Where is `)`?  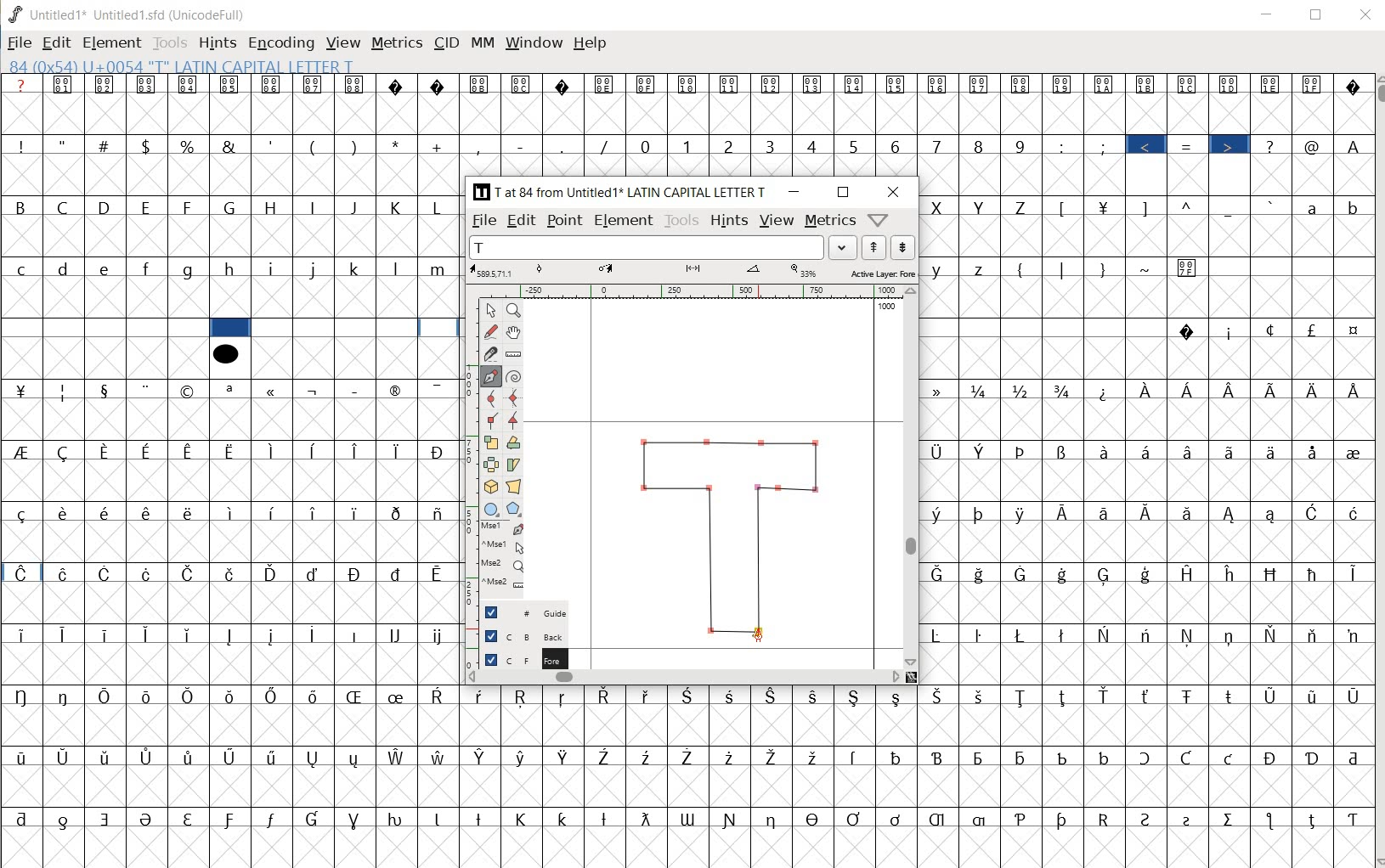
) is located at coordinates (356, 146).